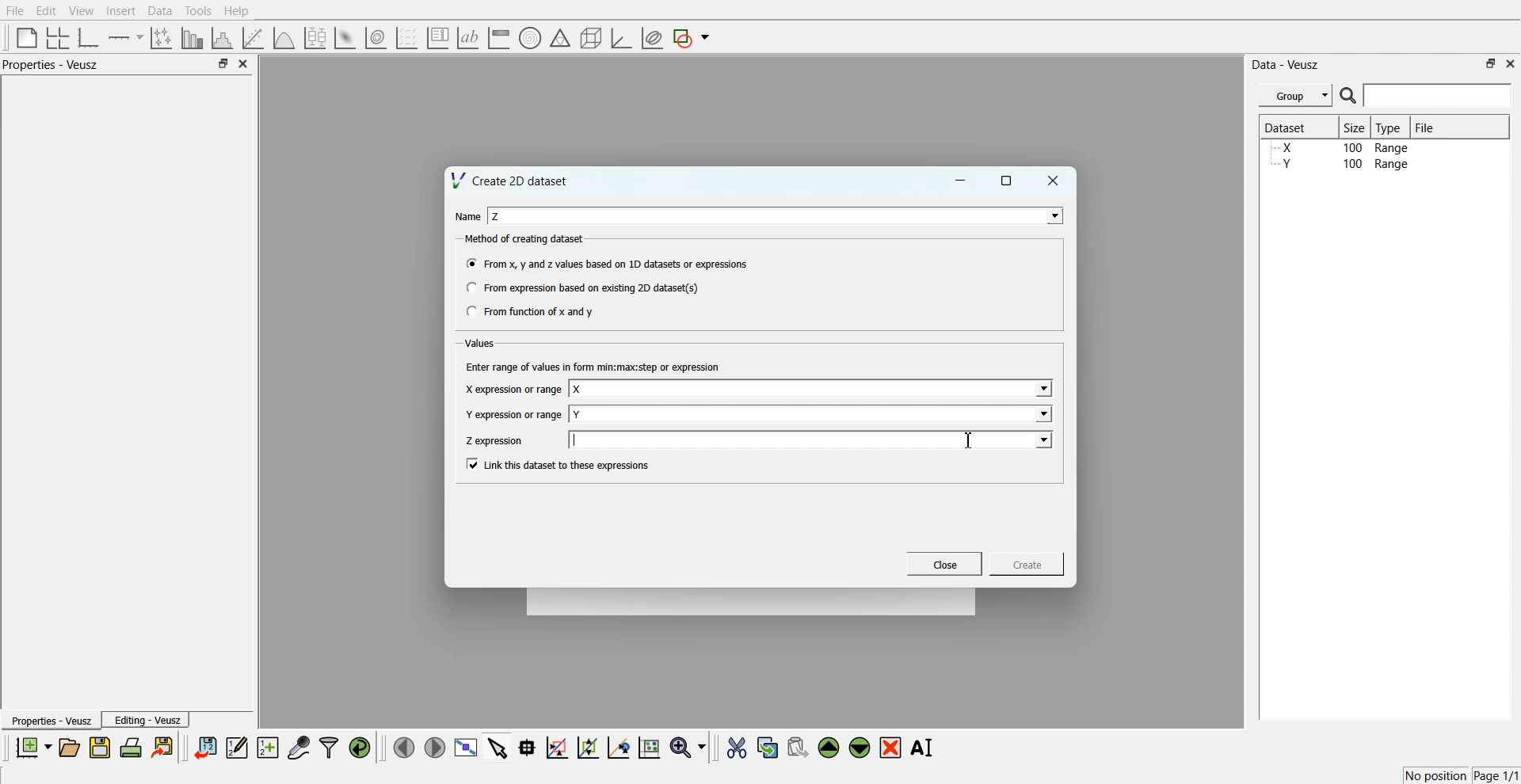 This screenshot has height=784, width=1521. I want to click on Search Bar, so click(1427, 95).